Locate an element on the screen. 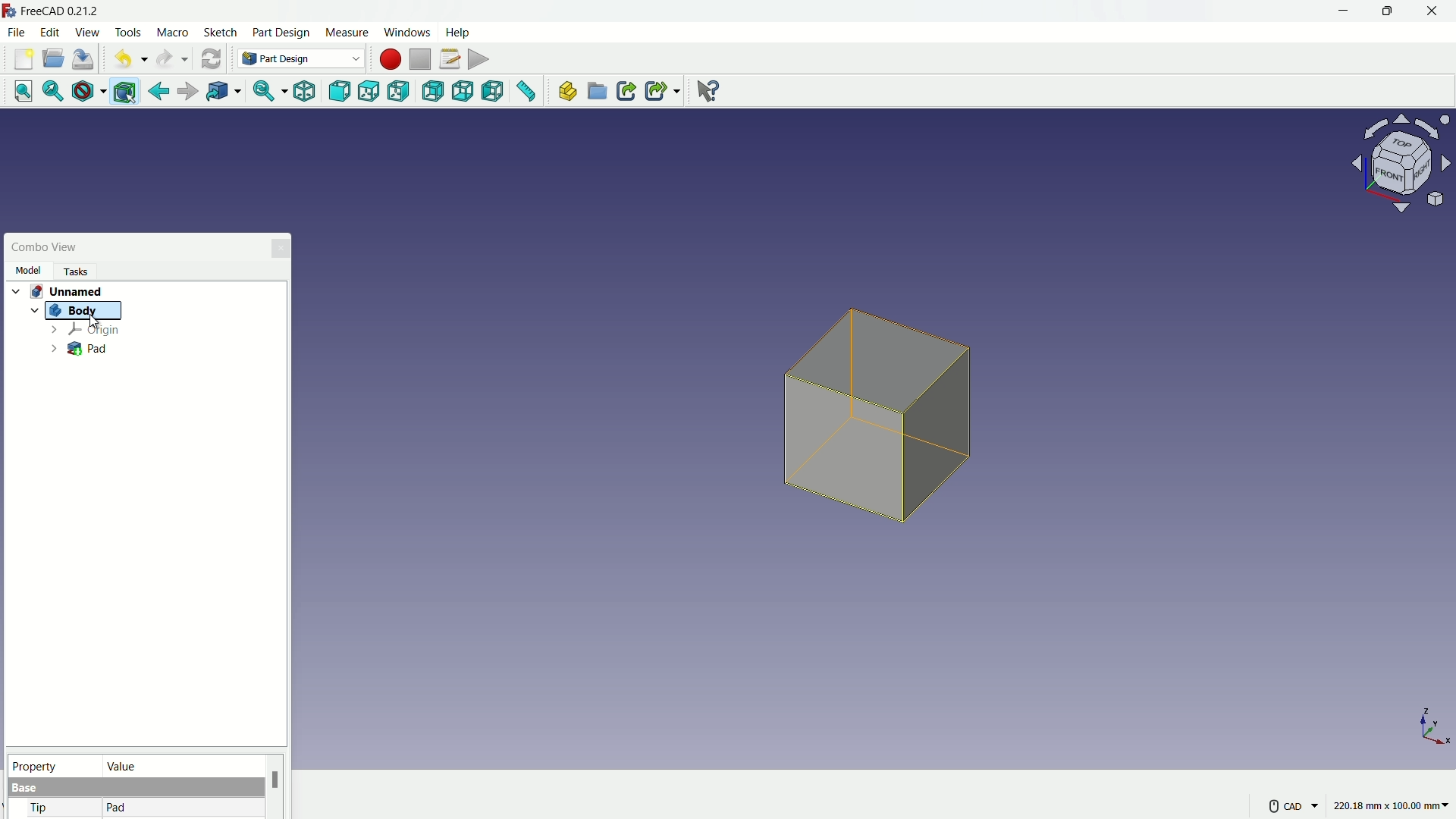 The width and height of the screenshot is (1456, 819). right view is located at coordinates (400, 94).